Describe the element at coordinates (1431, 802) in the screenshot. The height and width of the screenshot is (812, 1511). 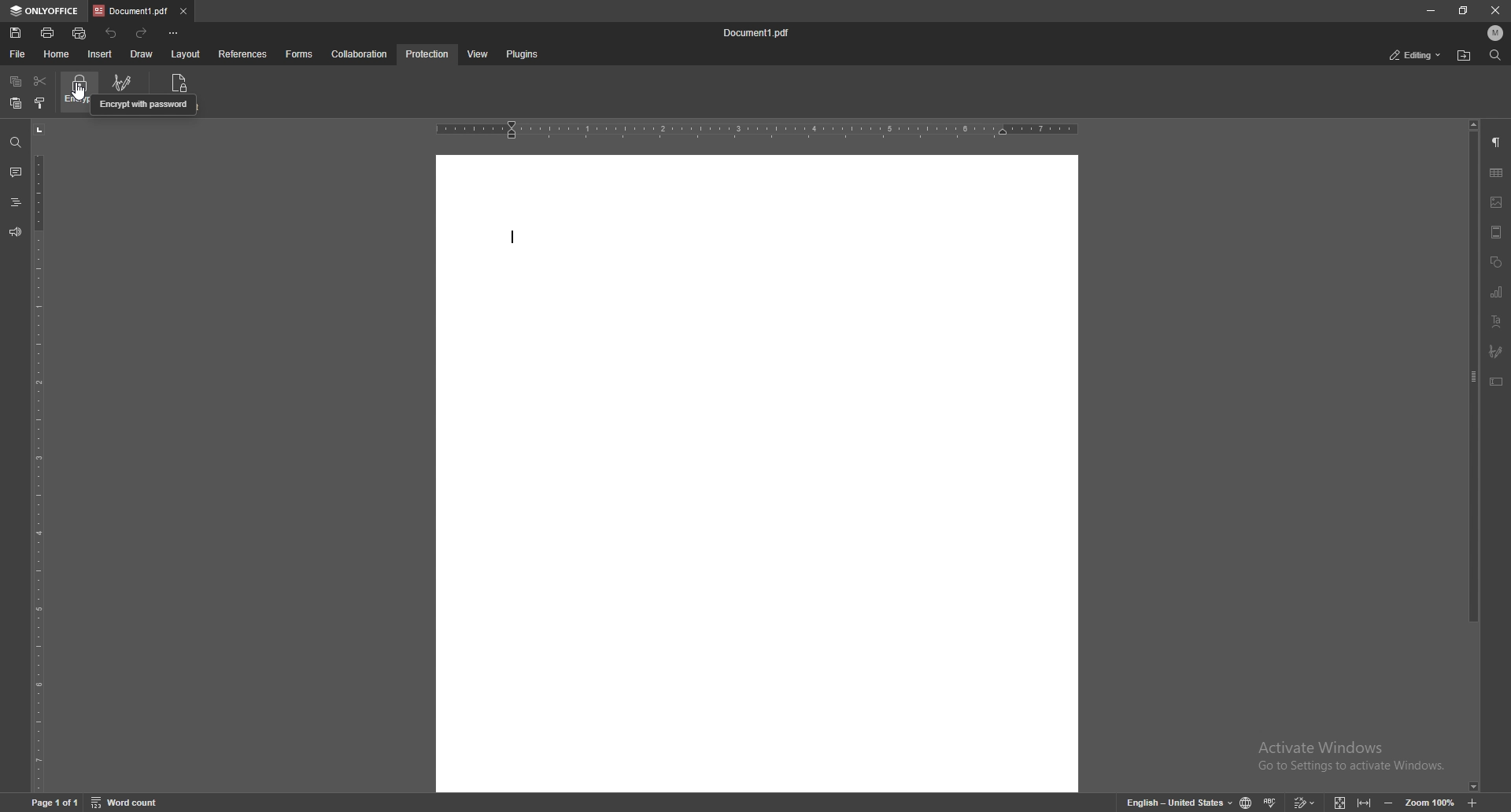
I see `zoom` at that location.